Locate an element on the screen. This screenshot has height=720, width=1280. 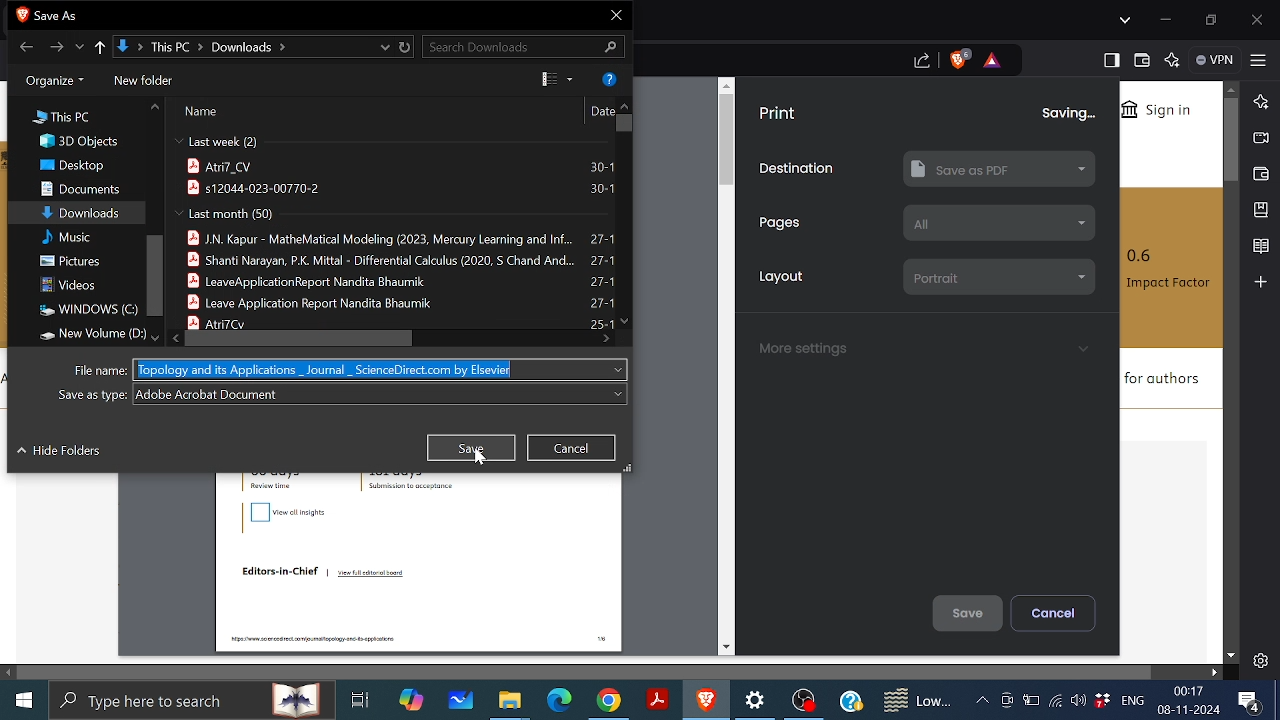
Show sidebar is located at coordinates (1112, 60).